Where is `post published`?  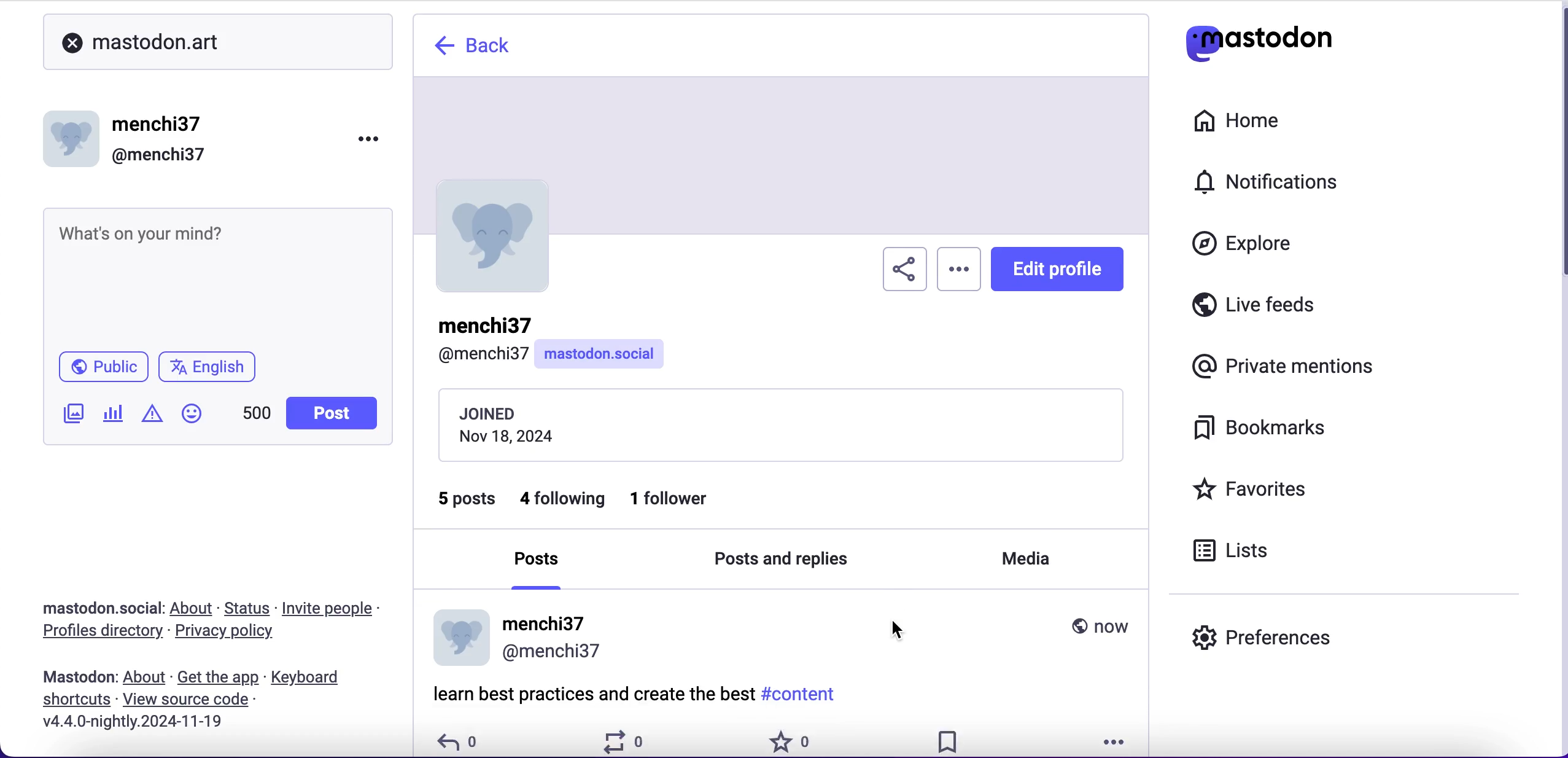 post published is located at coordinates (76, 674).